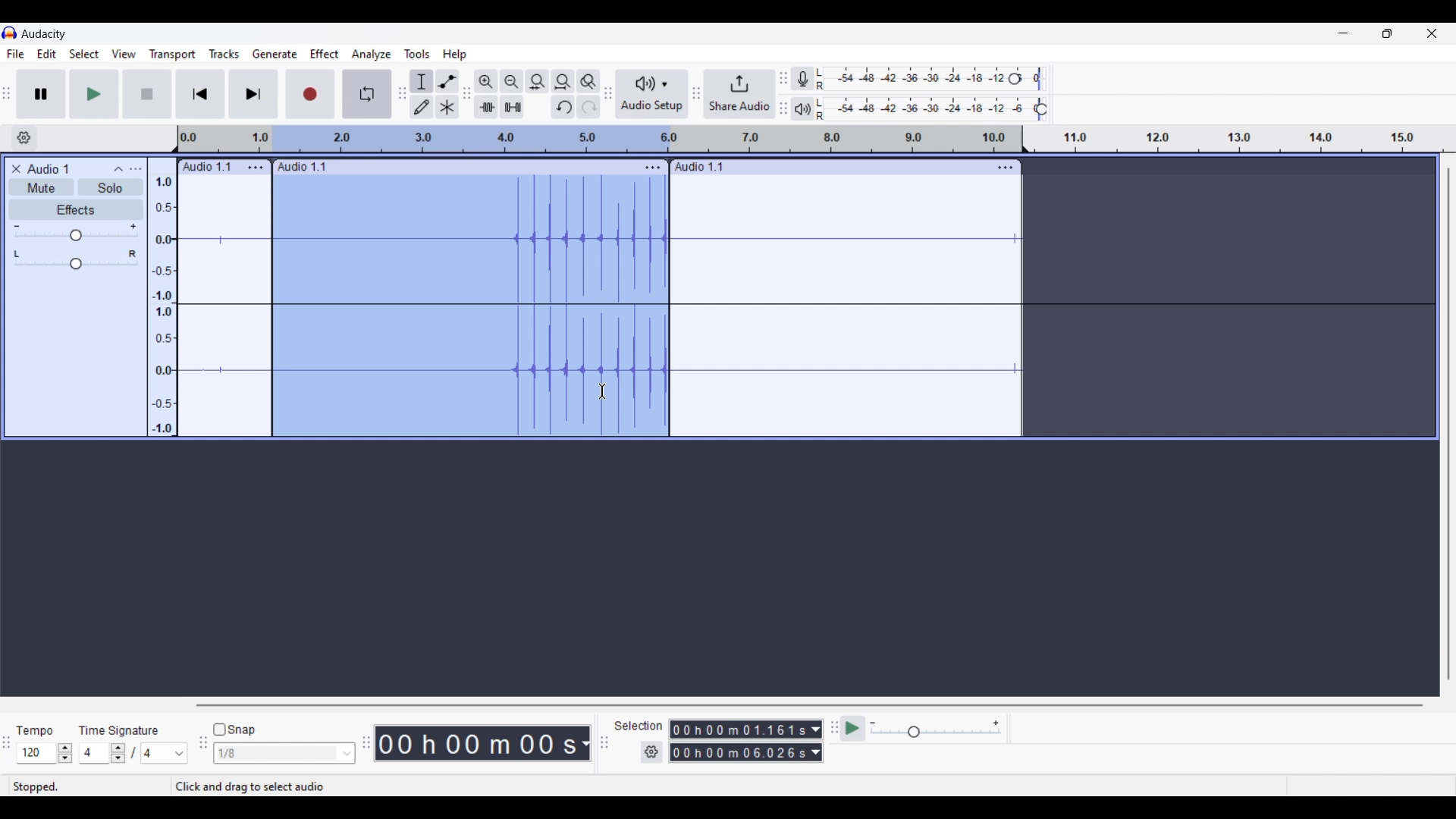 The width and height of the screenshot is (1456, 819). I want to click on Audio setup, so click(653, 94).